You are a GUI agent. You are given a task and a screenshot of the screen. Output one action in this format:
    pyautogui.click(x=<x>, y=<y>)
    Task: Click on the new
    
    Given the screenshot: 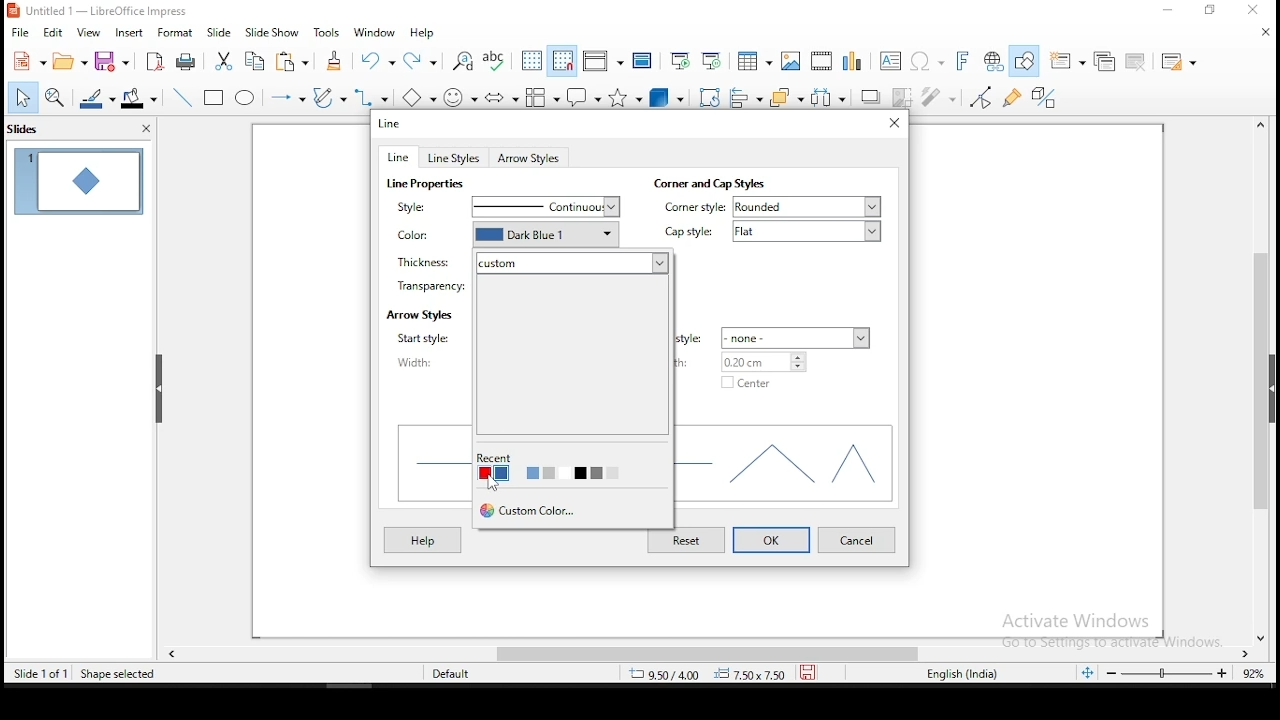 What is the action you would take?
    pyautogui.click(x=25, y=61)
    